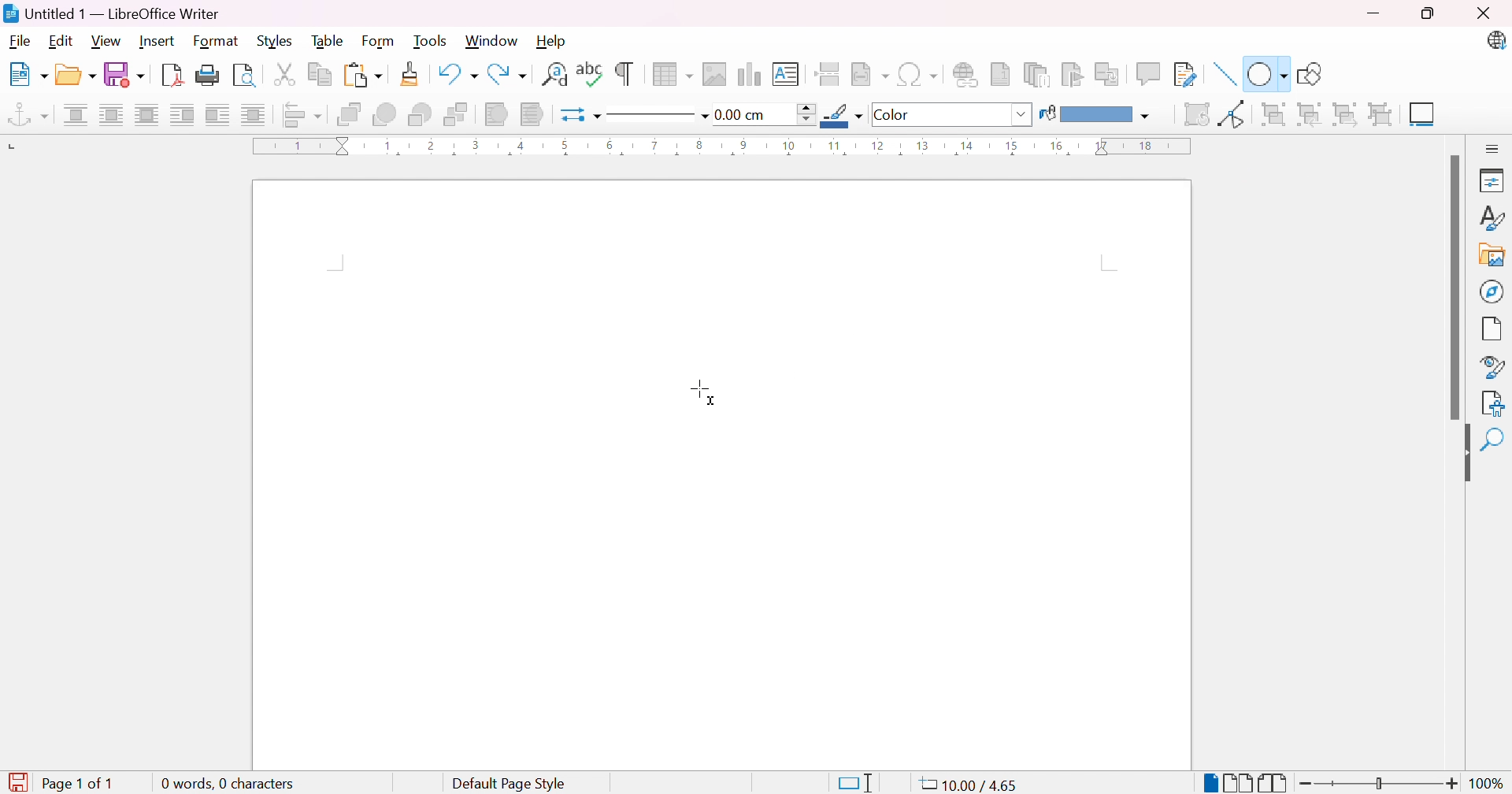 The height and width of the screenshot is (794, 1512). I want to click on Print, so click(209, 74).